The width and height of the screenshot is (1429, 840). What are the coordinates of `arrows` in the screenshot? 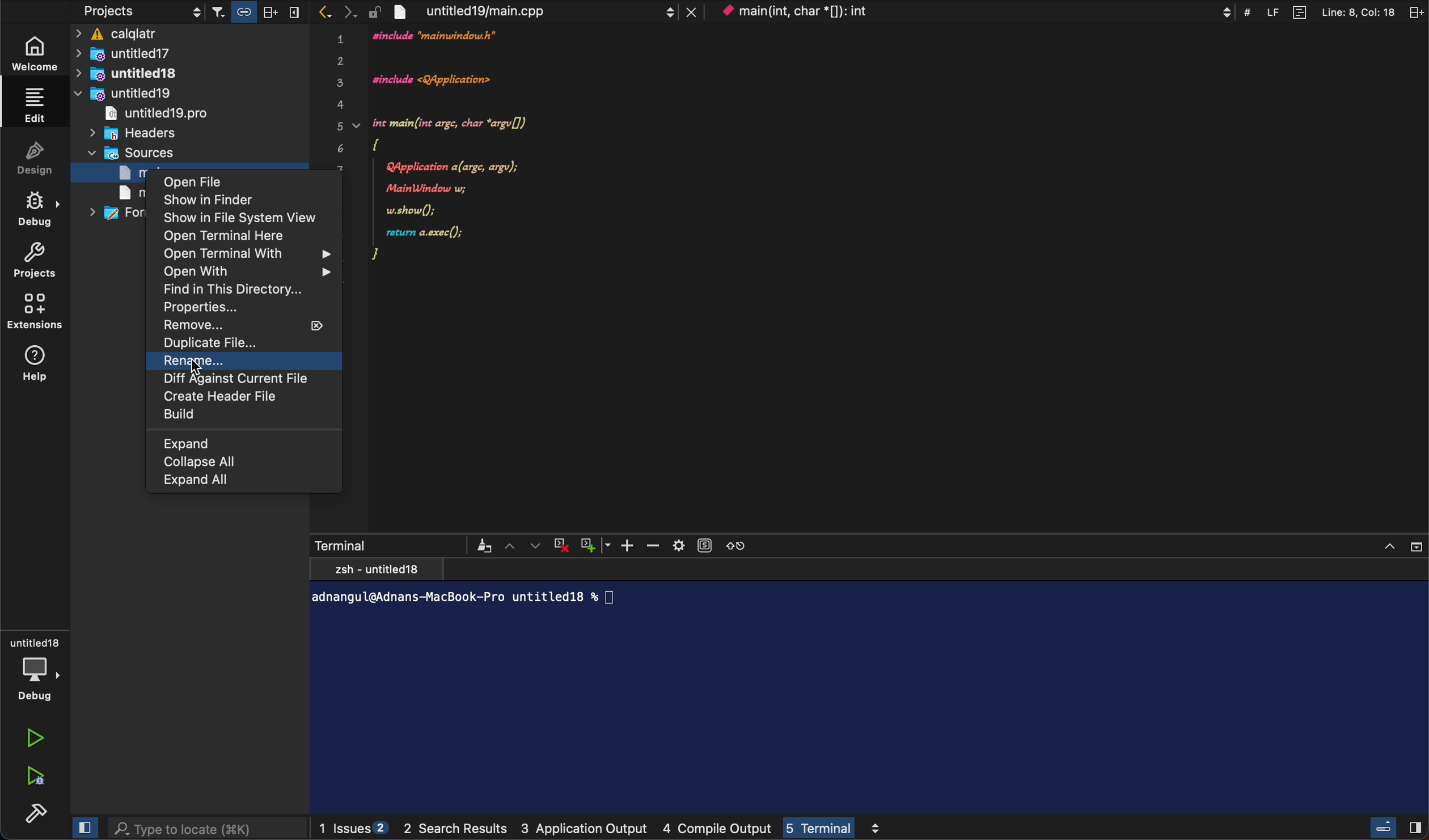 It's located at (335, 12).